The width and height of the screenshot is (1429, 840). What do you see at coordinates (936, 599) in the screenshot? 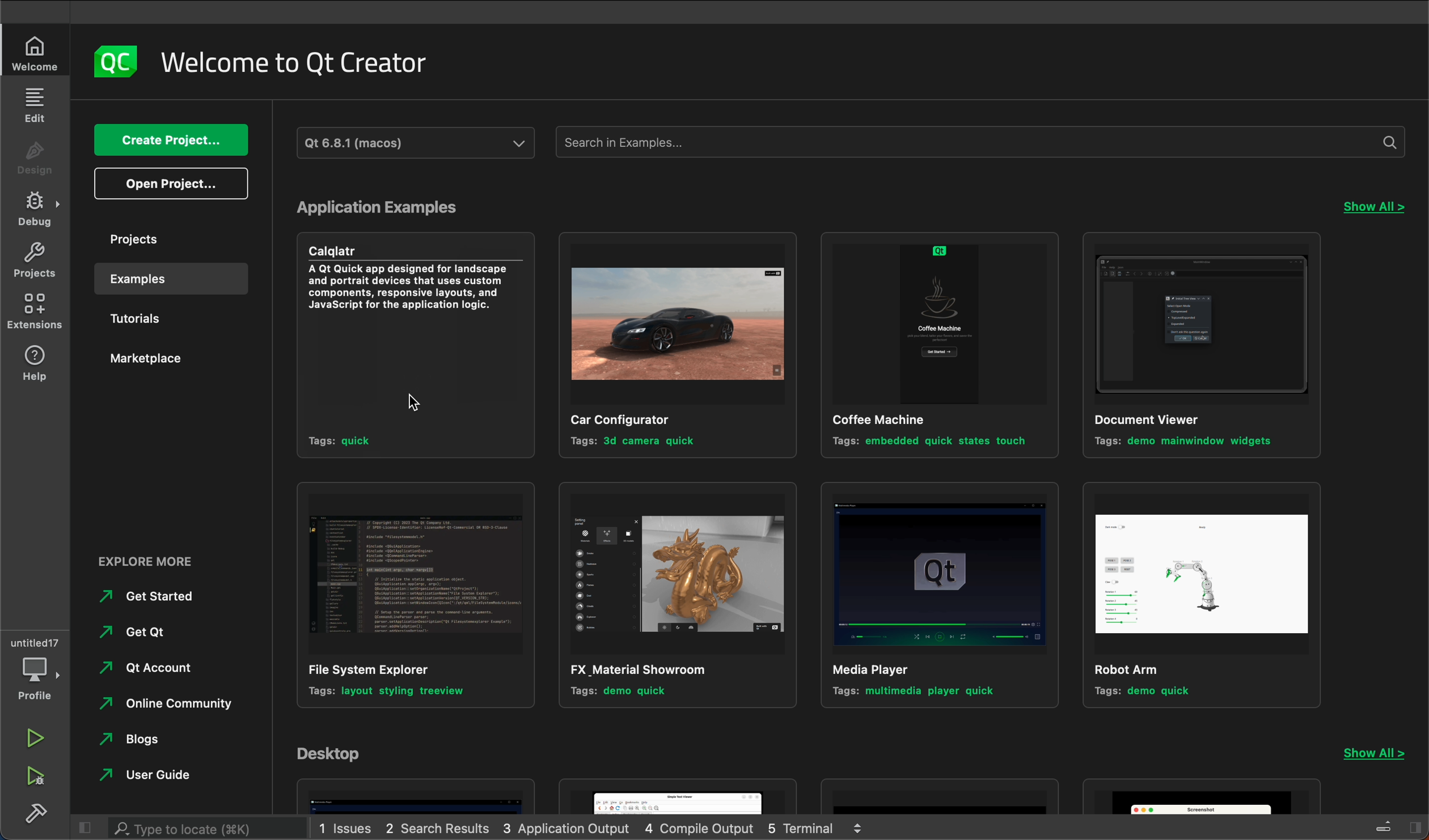
I see `media player` at bounding box center [936, 599].